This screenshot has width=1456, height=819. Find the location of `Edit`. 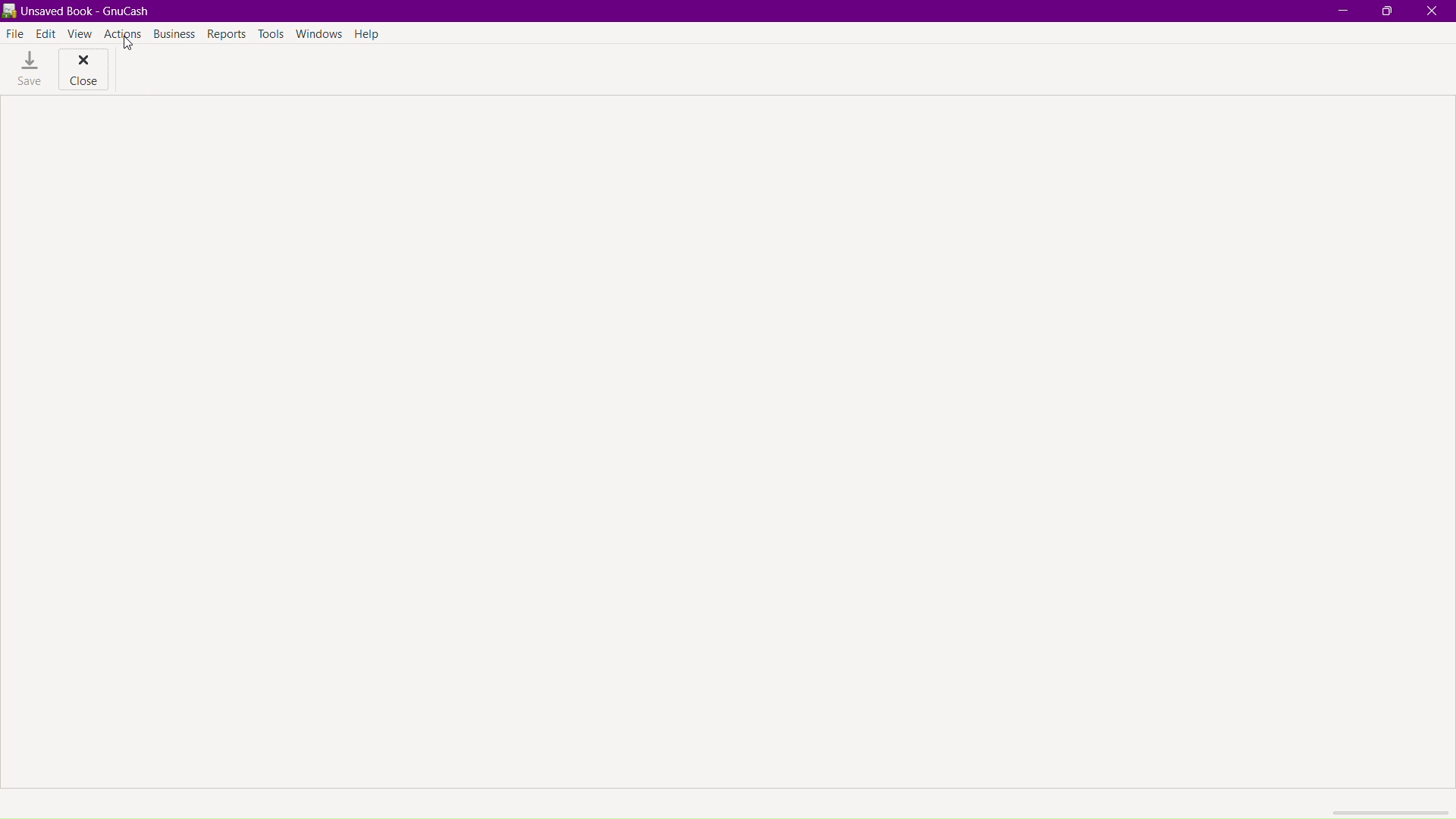

Edit is located at coordinates (49, 33).